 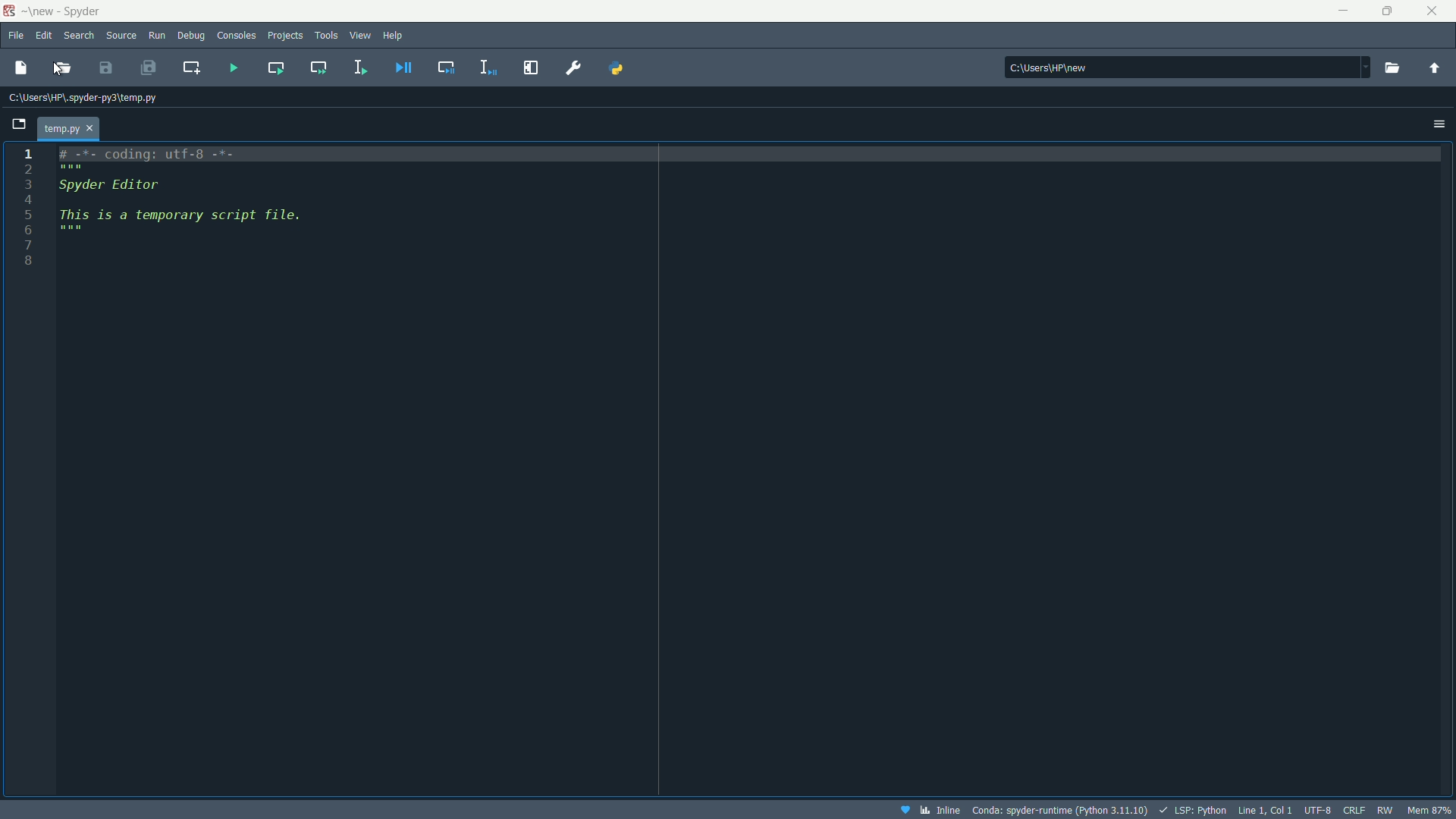 I want to click on create new cell at the current line, so click(x=193, y=67).